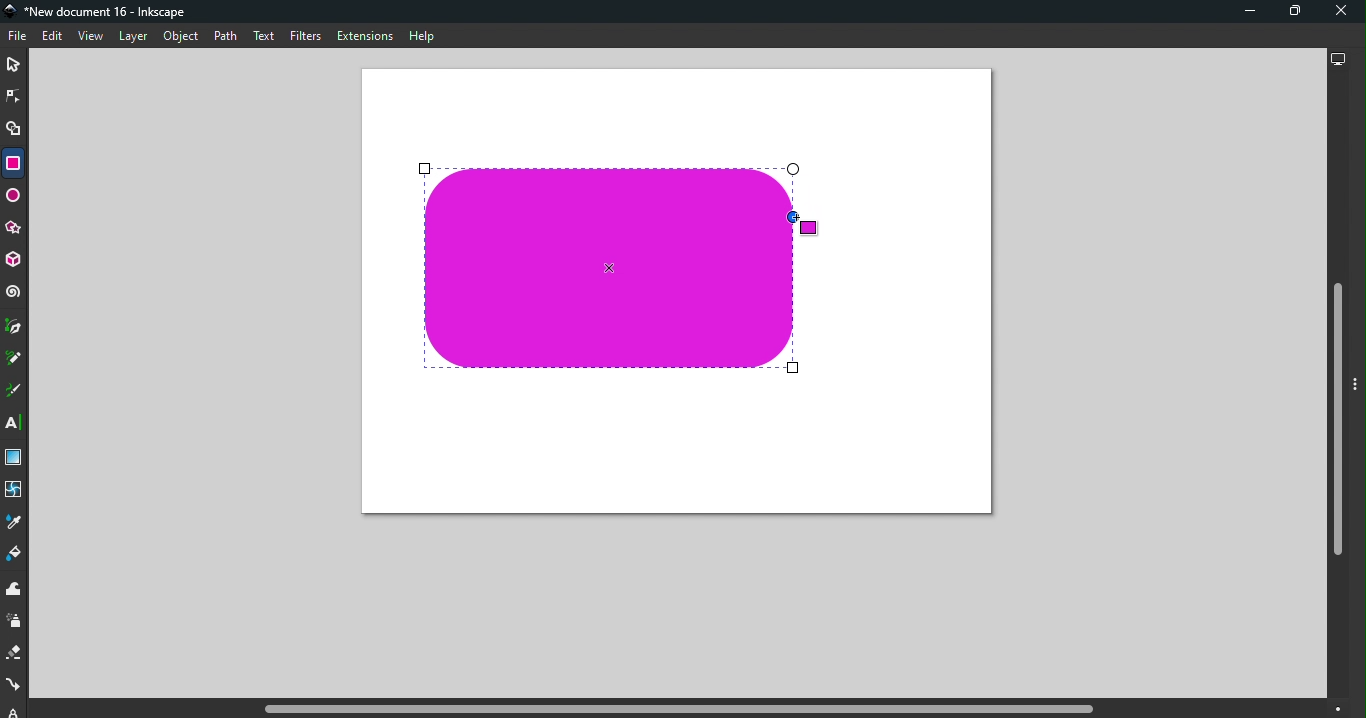  Describe the element at coordinates (16, 458) in the screenshot. I see `Gradient tool` at that location.